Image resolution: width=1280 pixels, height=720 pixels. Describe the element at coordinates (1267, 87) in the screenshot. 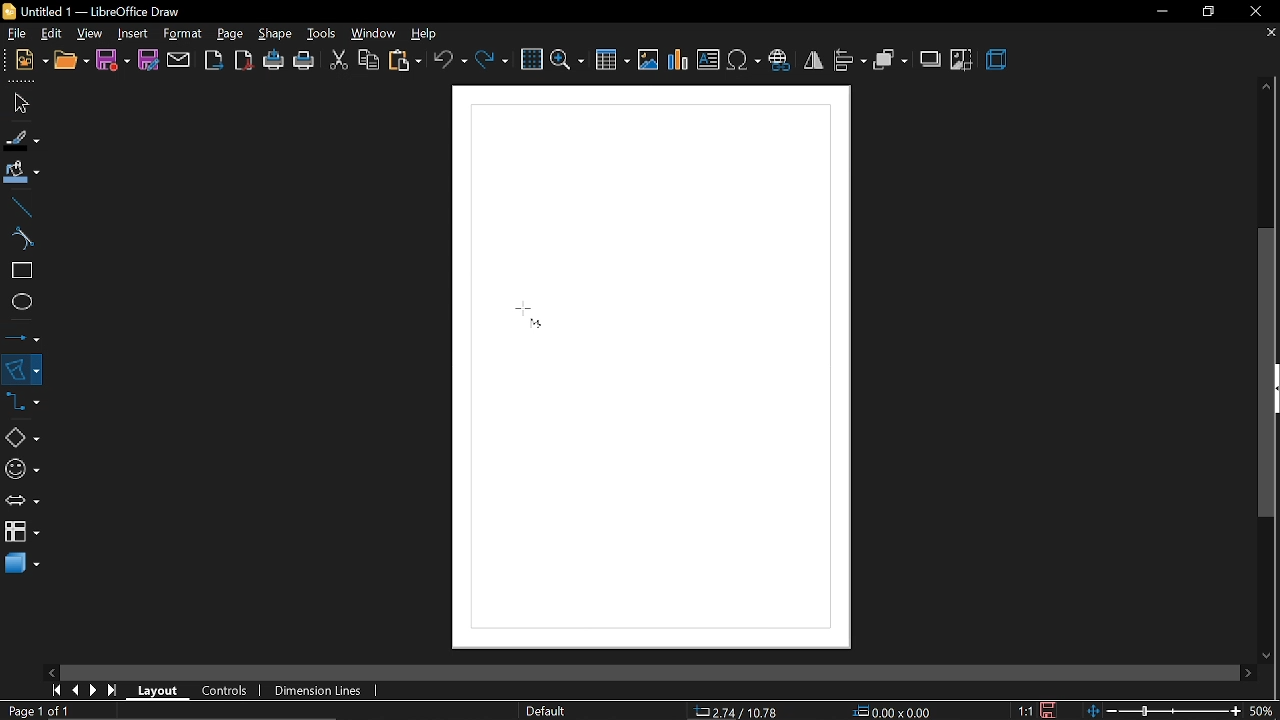

I see `move up` at that location.